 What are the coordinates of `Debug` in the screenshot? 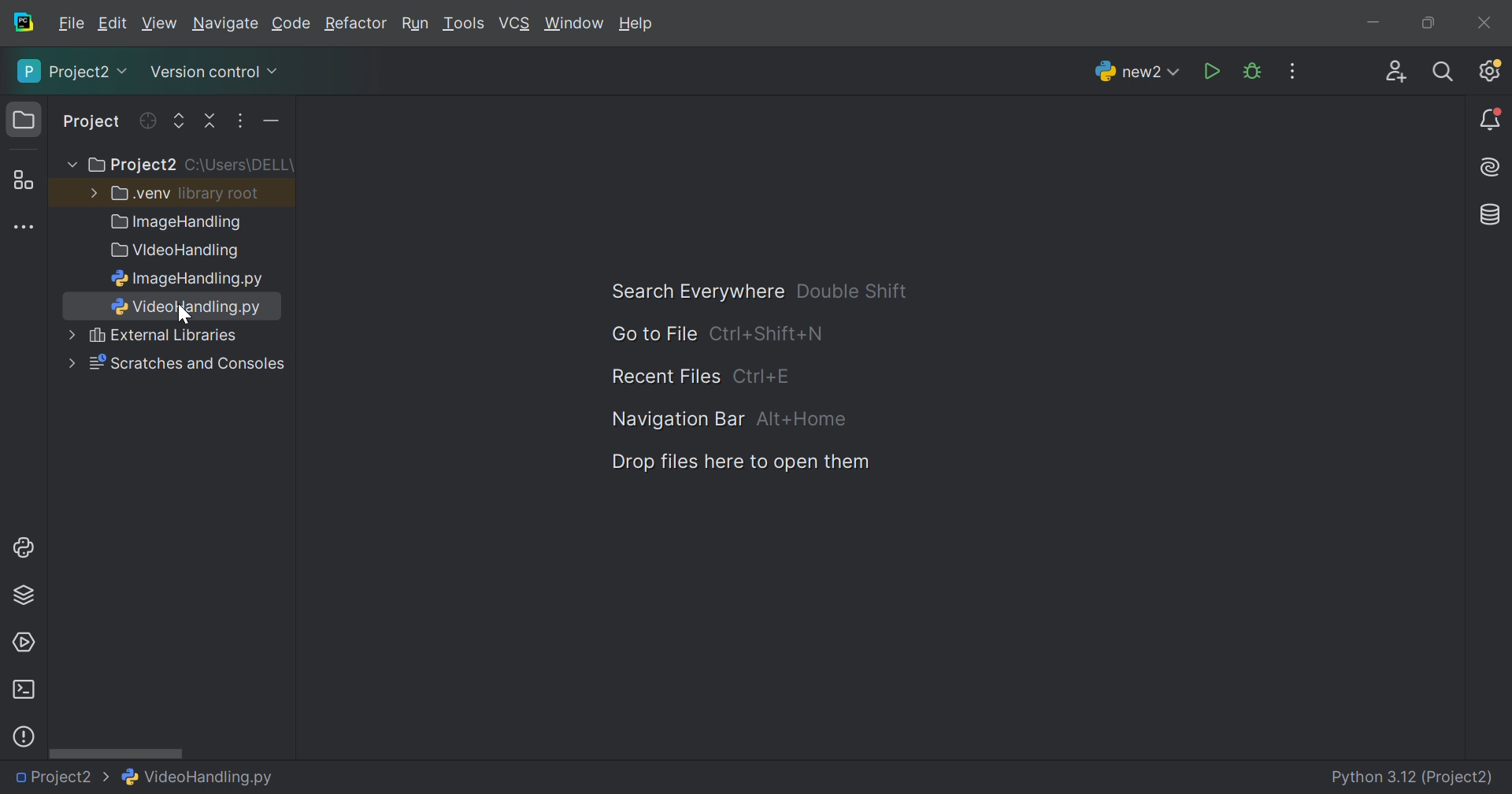 It's located at (1252, 72).